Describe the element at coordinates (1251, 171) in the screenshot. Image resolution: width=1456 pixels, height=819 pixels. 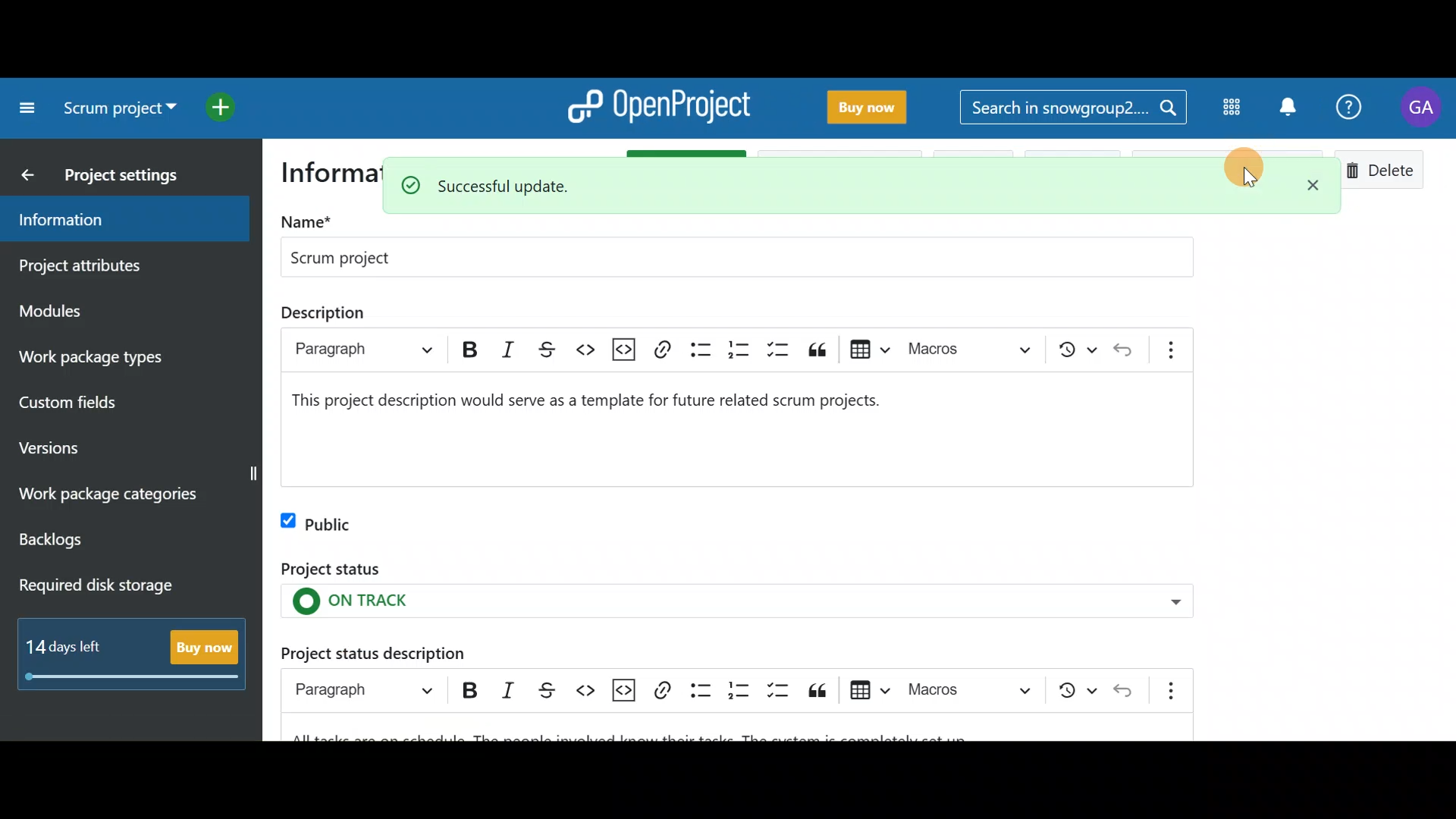
I see `Cursor` at that location.